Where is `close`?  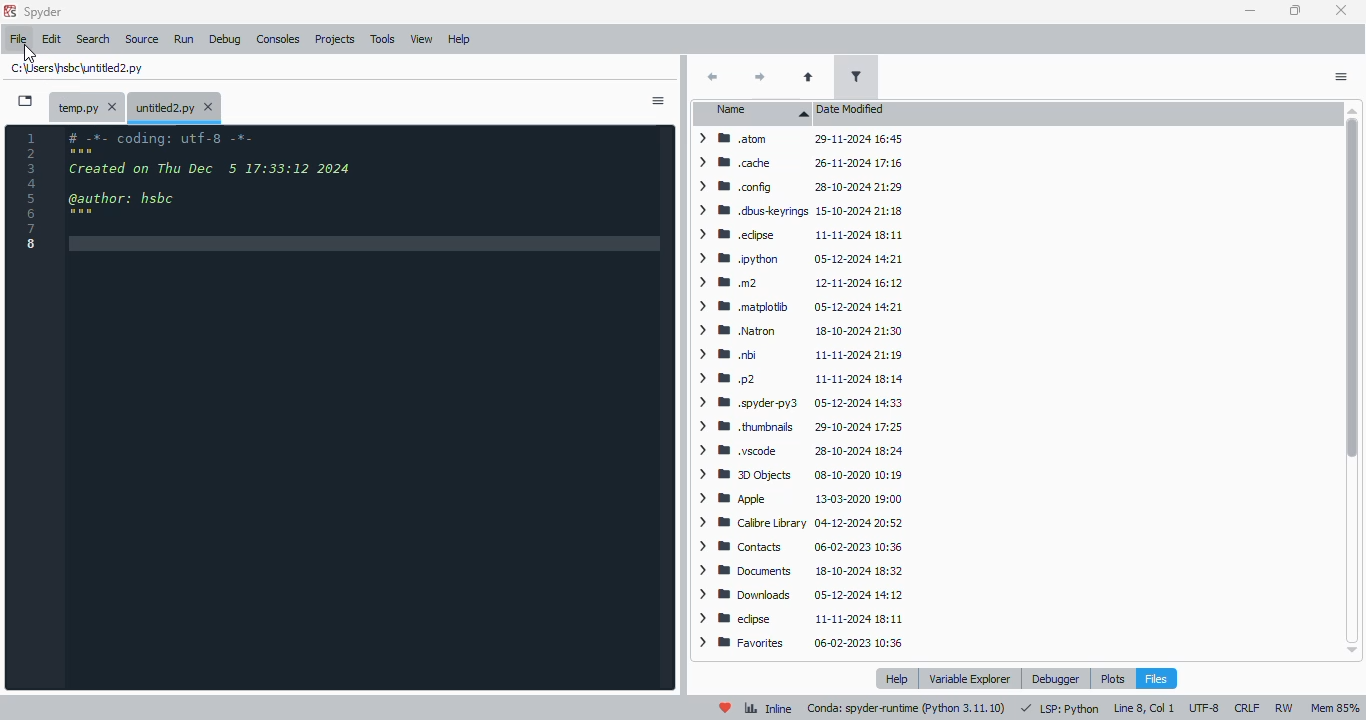 close is located at coordinates (113, 107).